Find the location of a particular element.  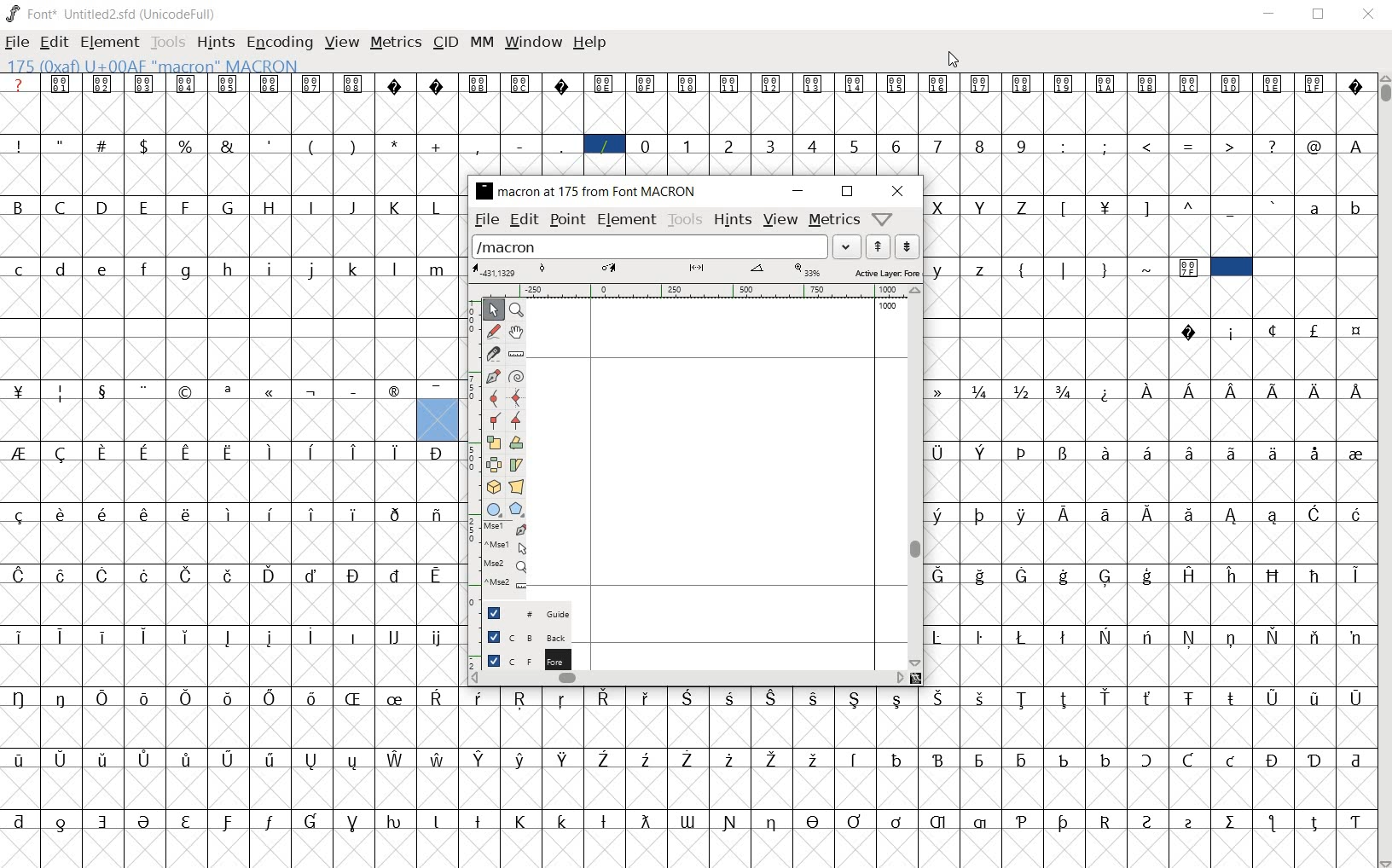

Symbol is located at coordinates (773, 697).